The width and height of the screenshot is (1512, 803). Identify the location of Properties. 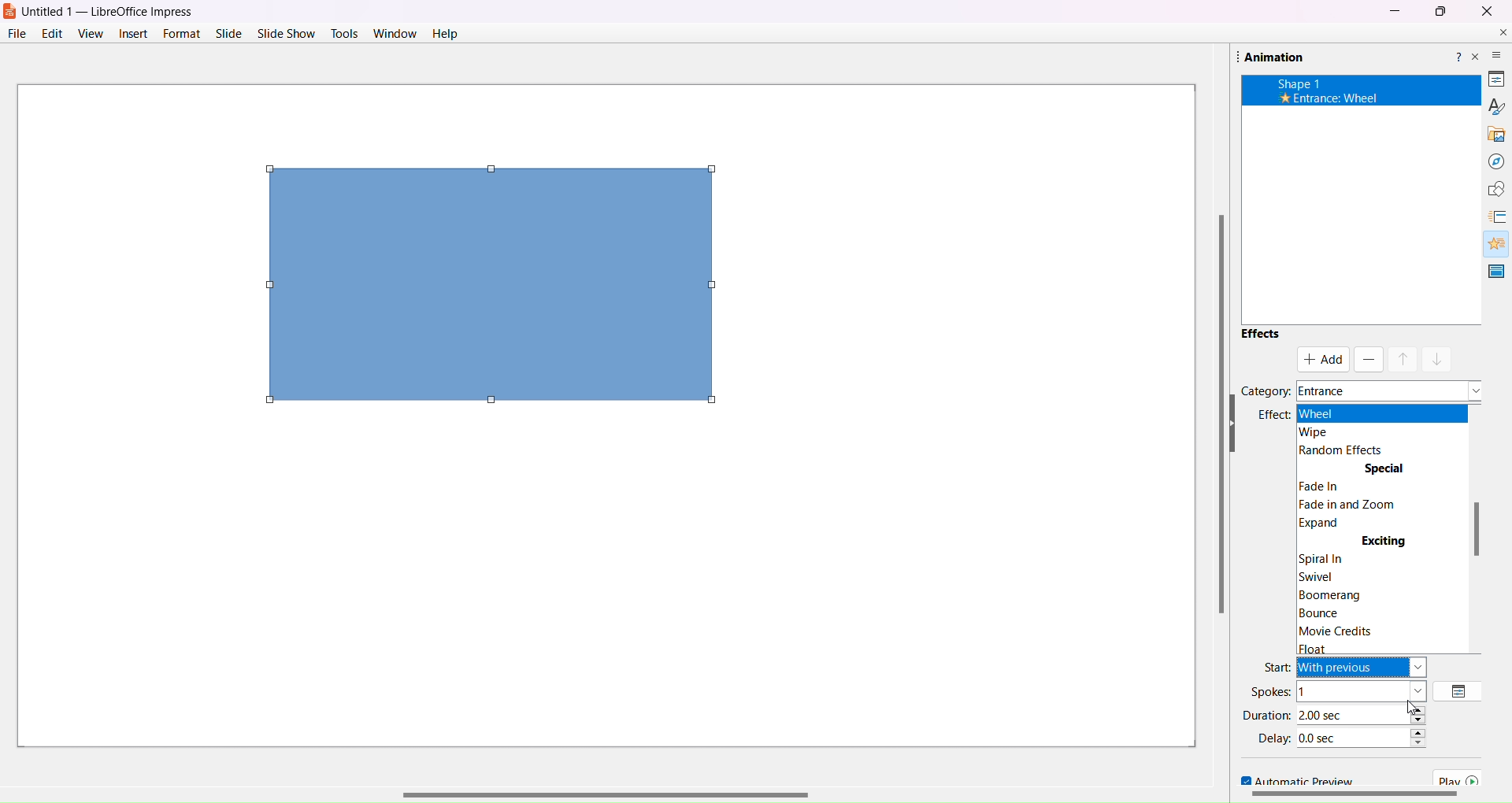
(1489, 76).